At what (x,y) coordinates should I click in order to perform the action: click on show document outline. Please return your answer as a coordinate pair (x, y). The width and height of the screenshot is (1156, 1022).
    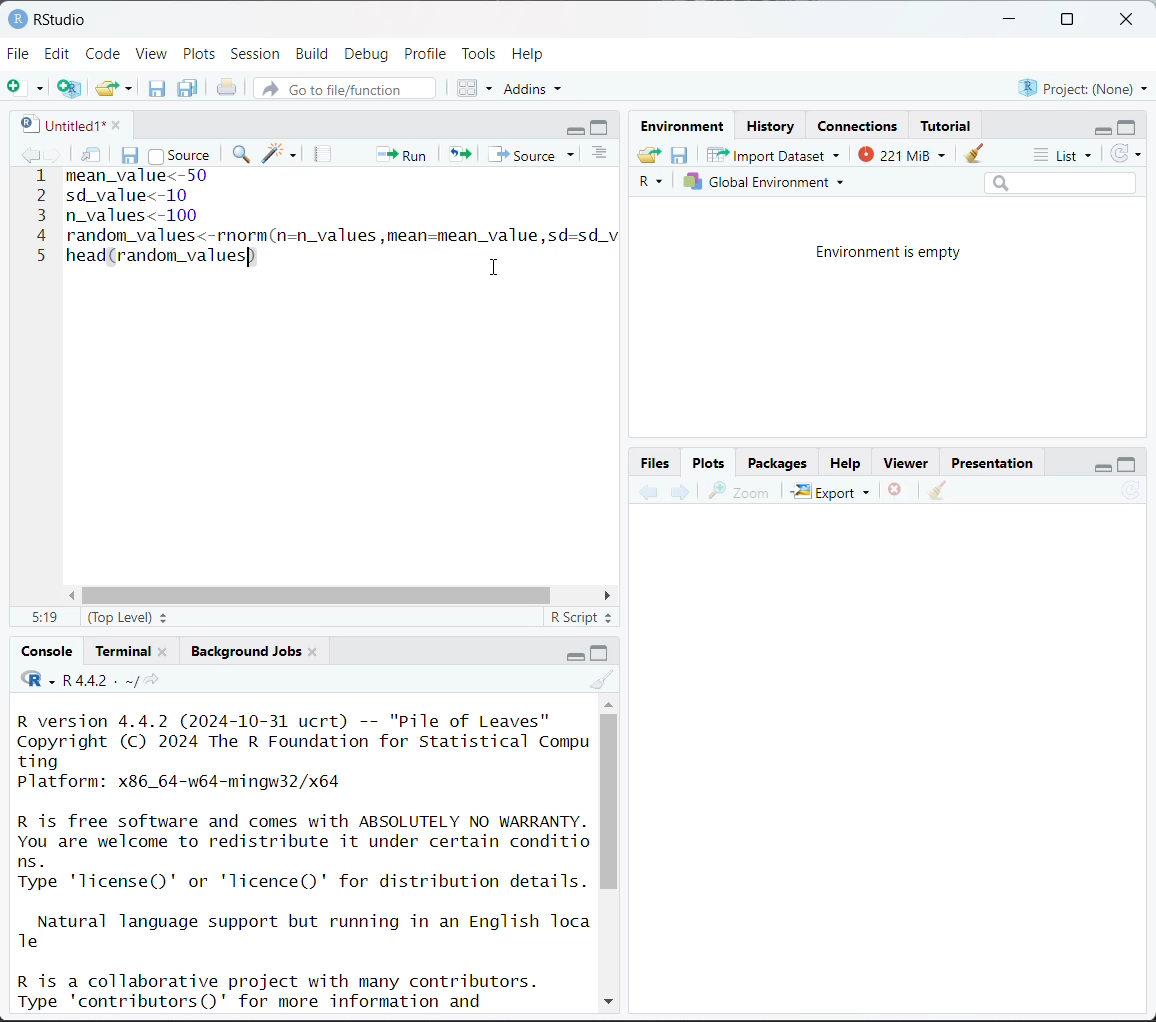
    Looking at the image, I should click on (603, 155).